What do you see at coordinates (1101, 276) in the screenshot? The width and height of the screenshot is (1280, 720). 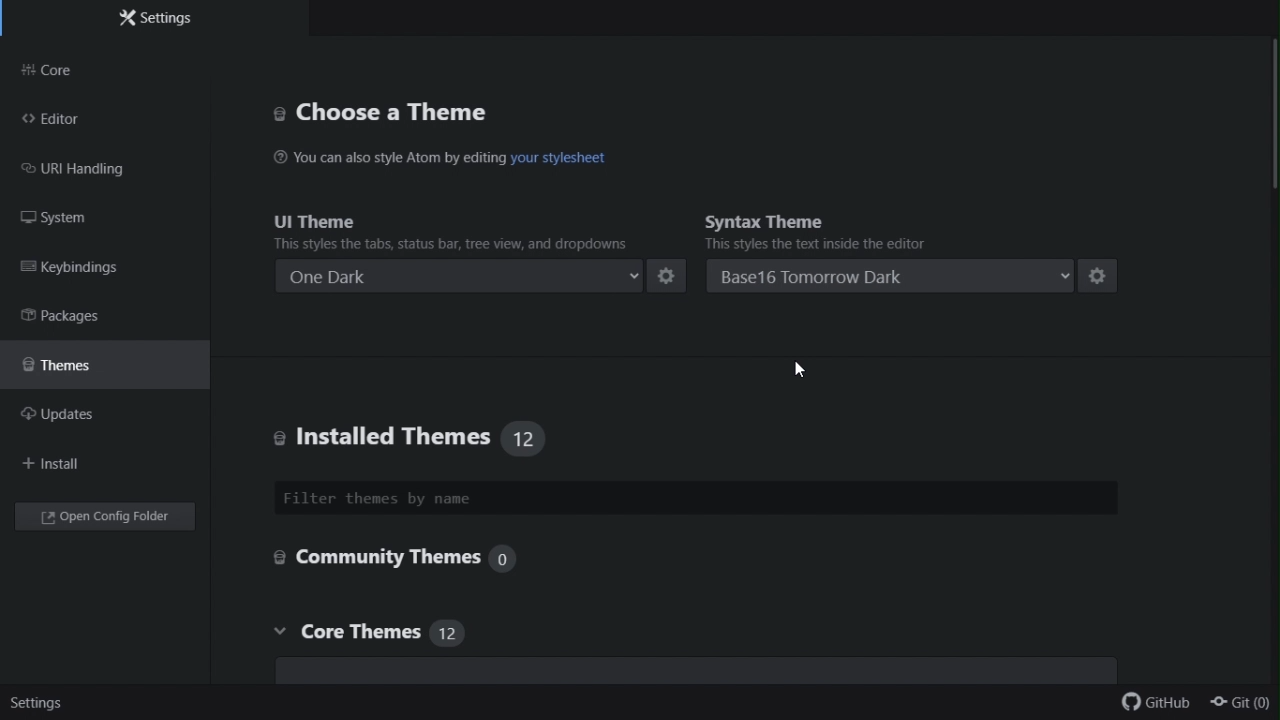 I see `settings` at bounding box center [1101, 276].